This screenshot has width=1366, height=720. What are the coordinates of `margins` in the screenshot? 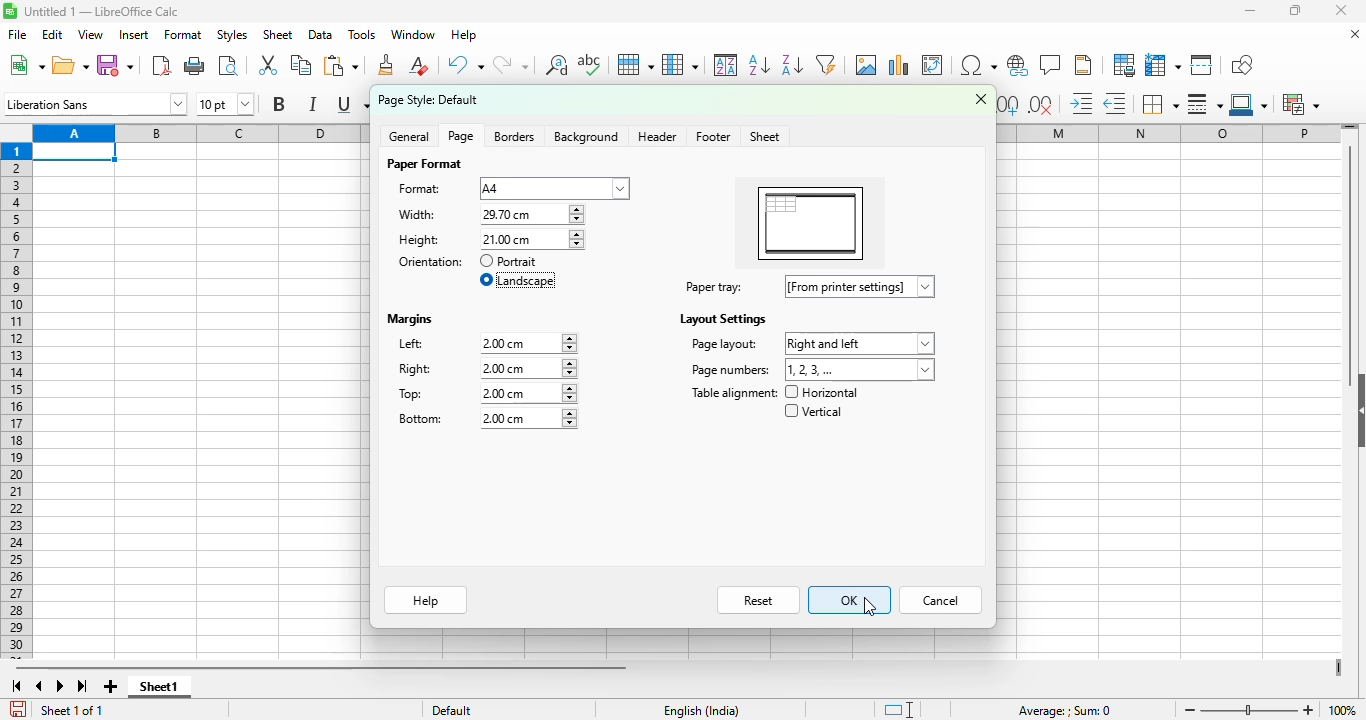 It's located at (411, 320).